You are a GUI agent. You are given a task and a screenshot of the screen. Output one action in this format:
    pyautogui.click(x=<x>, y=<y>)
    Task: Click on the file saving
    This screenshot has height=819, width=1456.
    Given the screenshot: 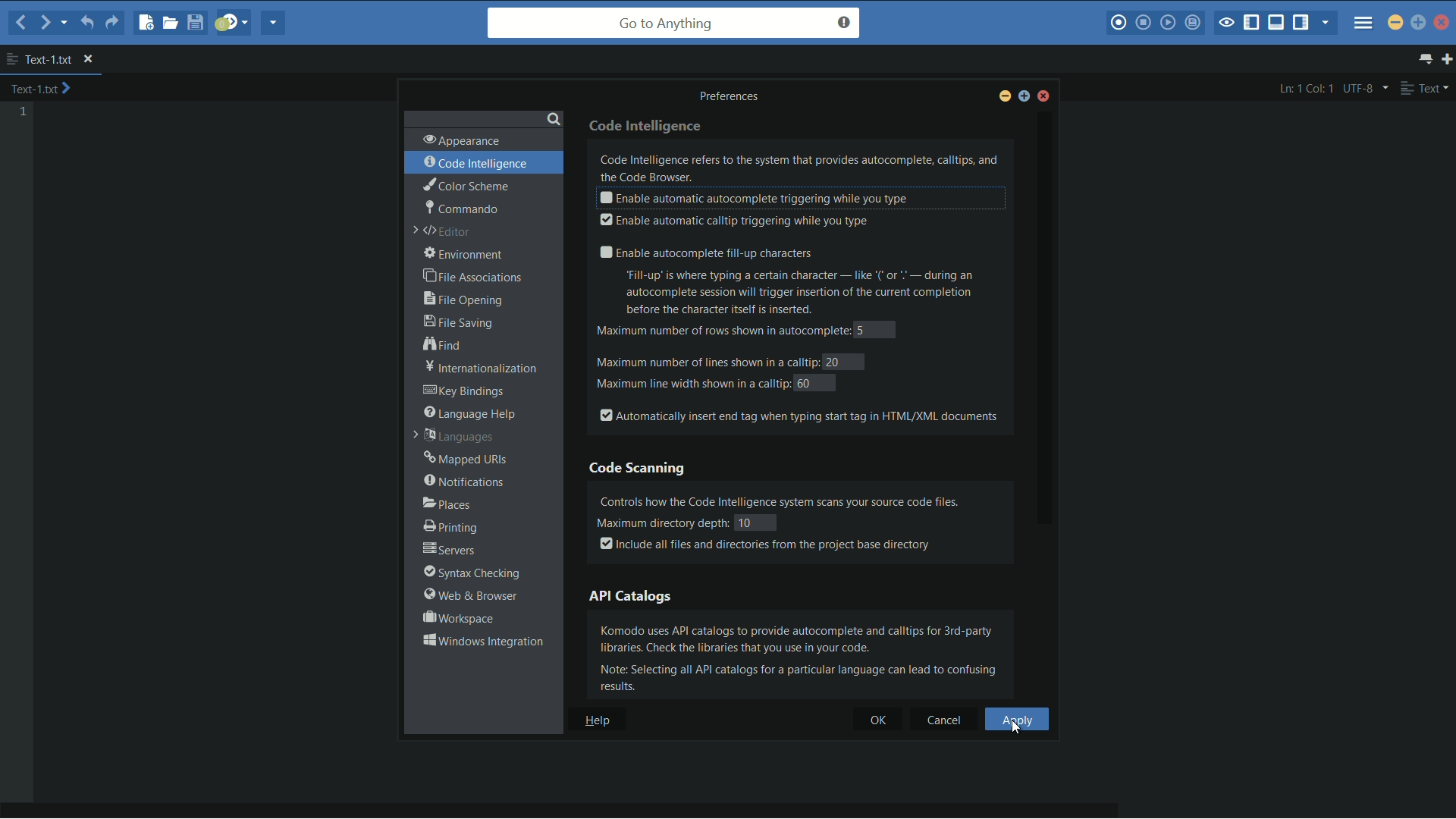 What is the action you would take?
    pyautogui.click(x=458, y=322)
    